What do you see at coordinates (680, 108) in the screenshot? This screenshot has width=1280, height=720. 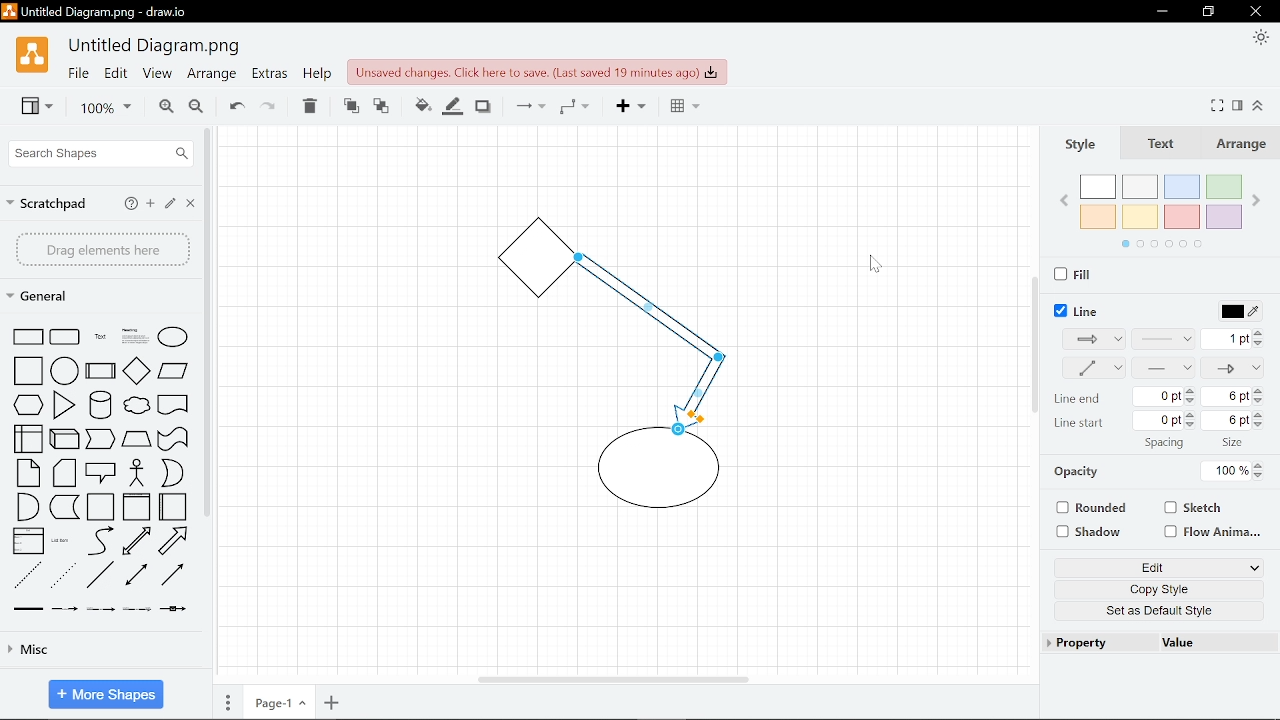 I see `Table` at bounding box center [680, 108].